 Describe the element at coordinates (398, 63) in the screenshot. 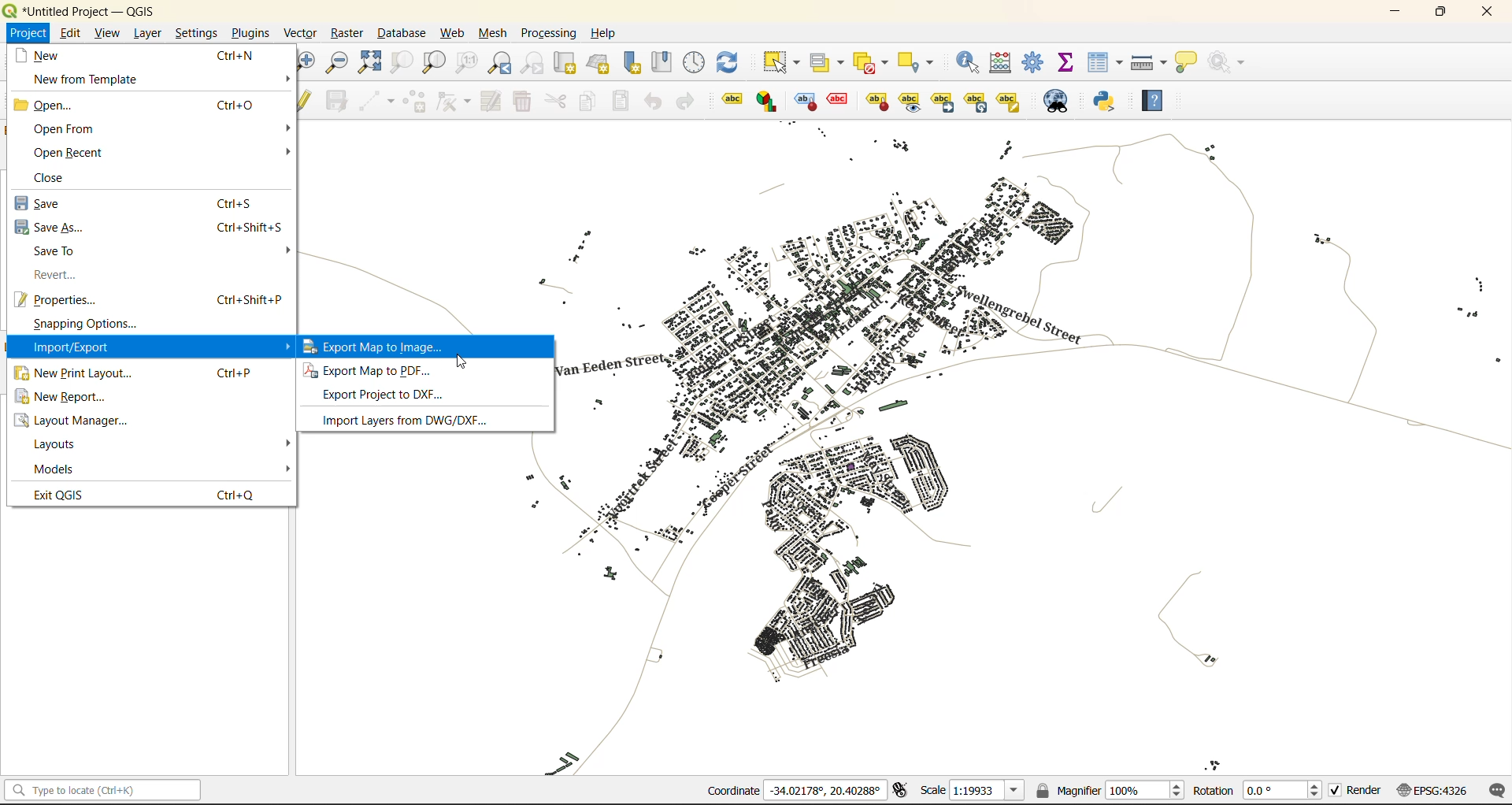

I see `zoom selection` at that location.